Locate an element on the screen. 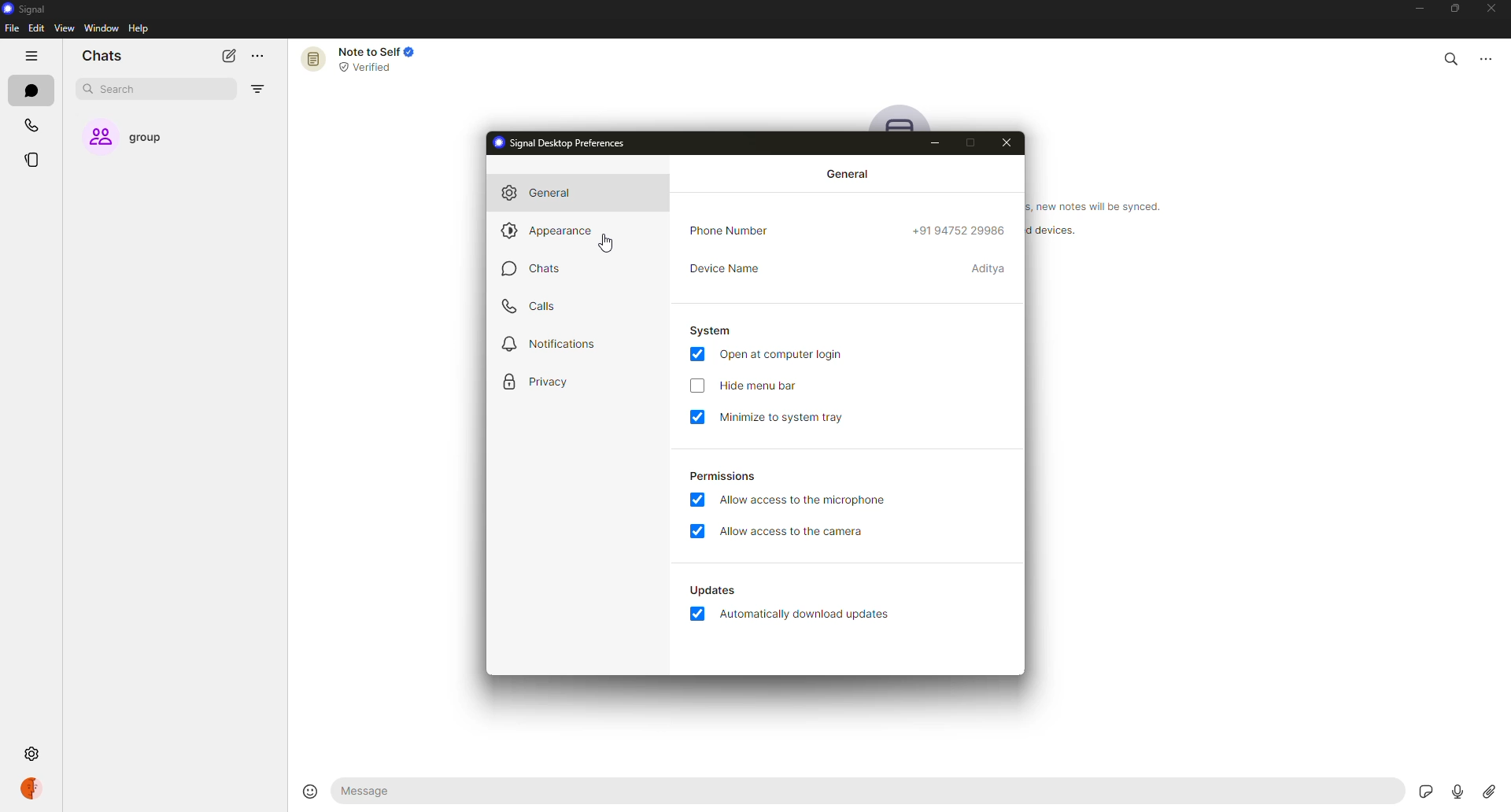 The width and height of the screenshot is (1511, 812). enabled is located at coordinates (697, 418).